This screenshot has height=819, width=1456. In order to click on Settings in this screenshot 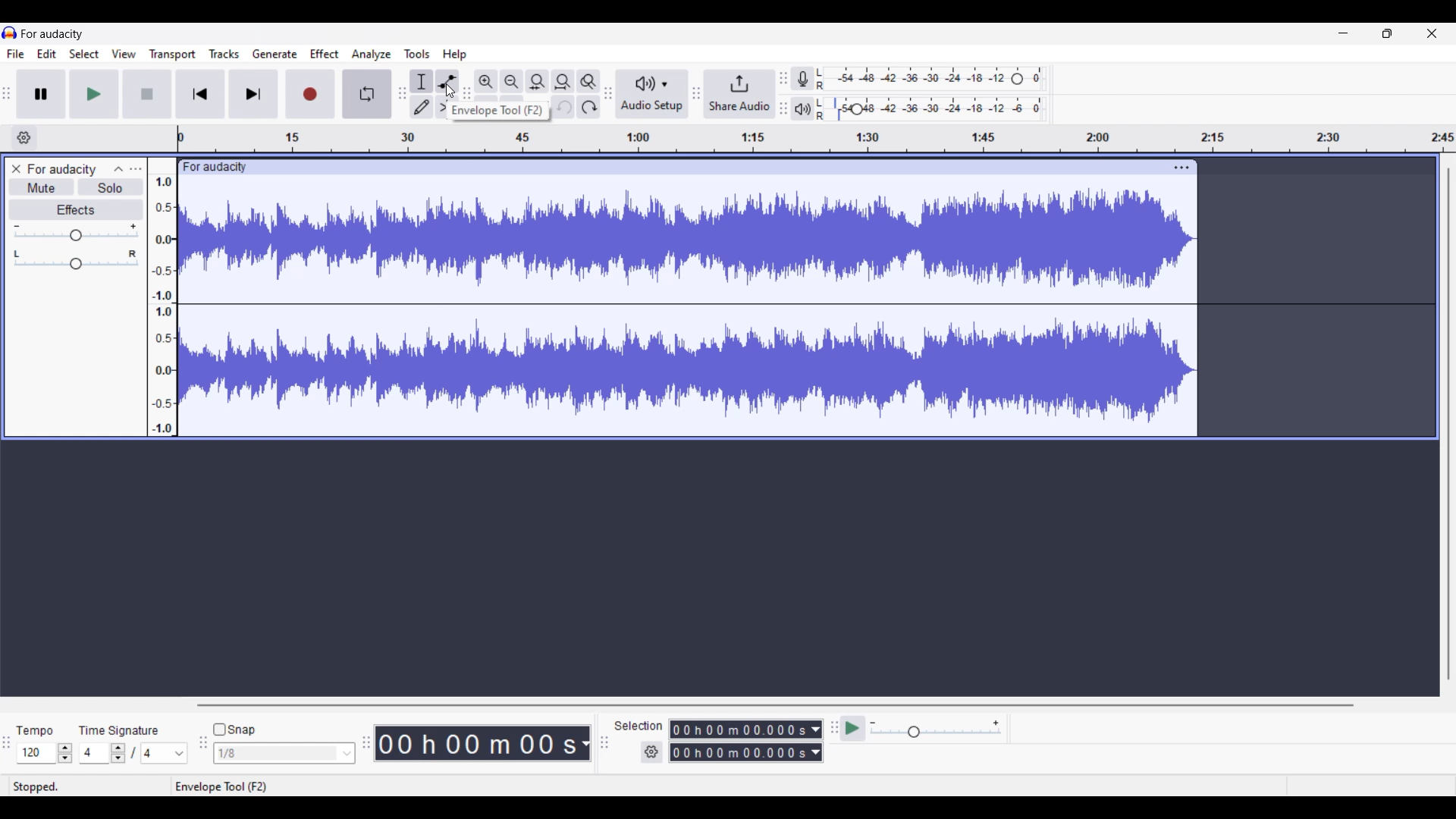, I will do `click(652, 752)`.